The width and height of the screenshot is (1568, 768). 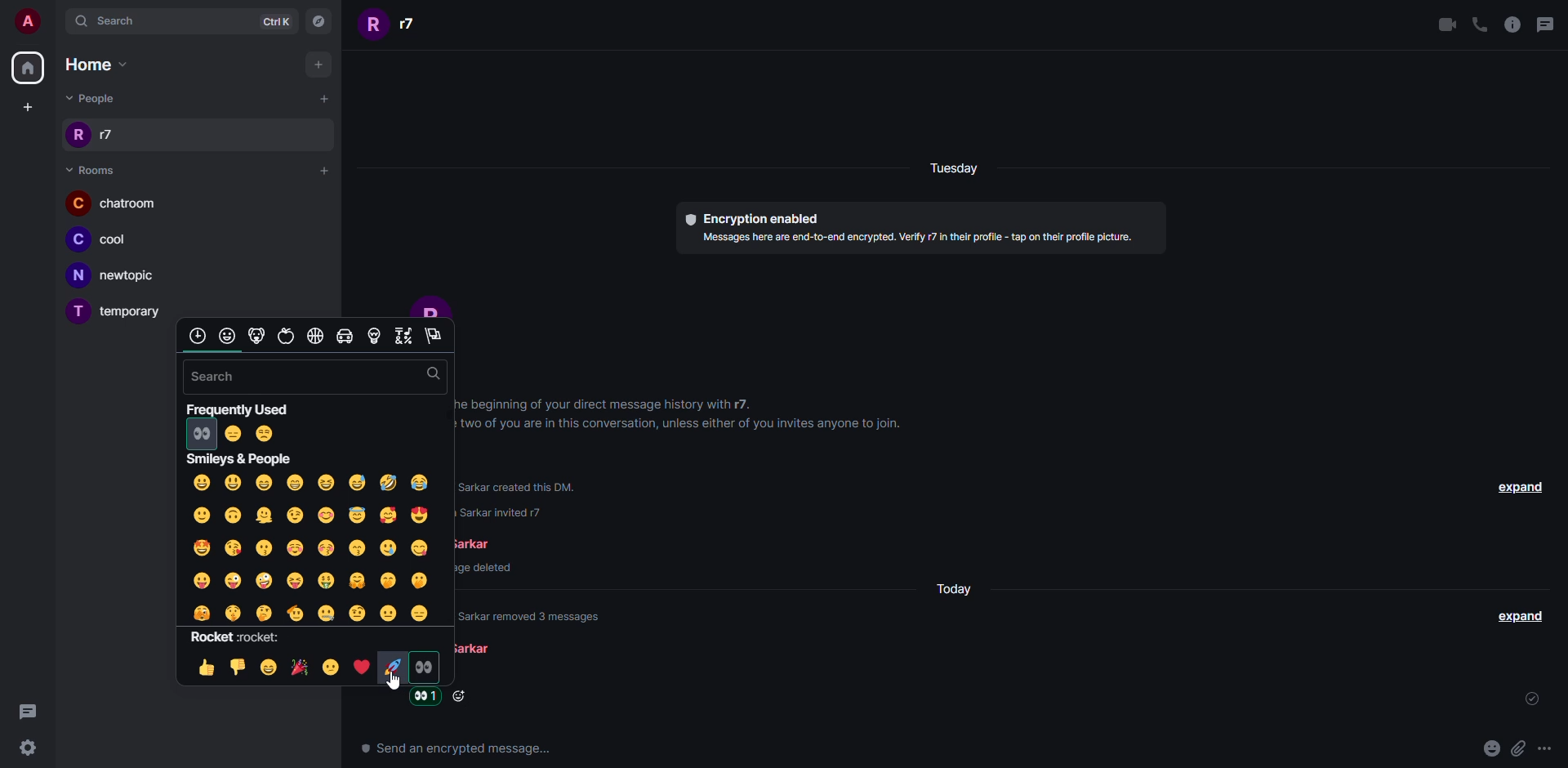 I want to click on emoji, so click(x=364, y=665).